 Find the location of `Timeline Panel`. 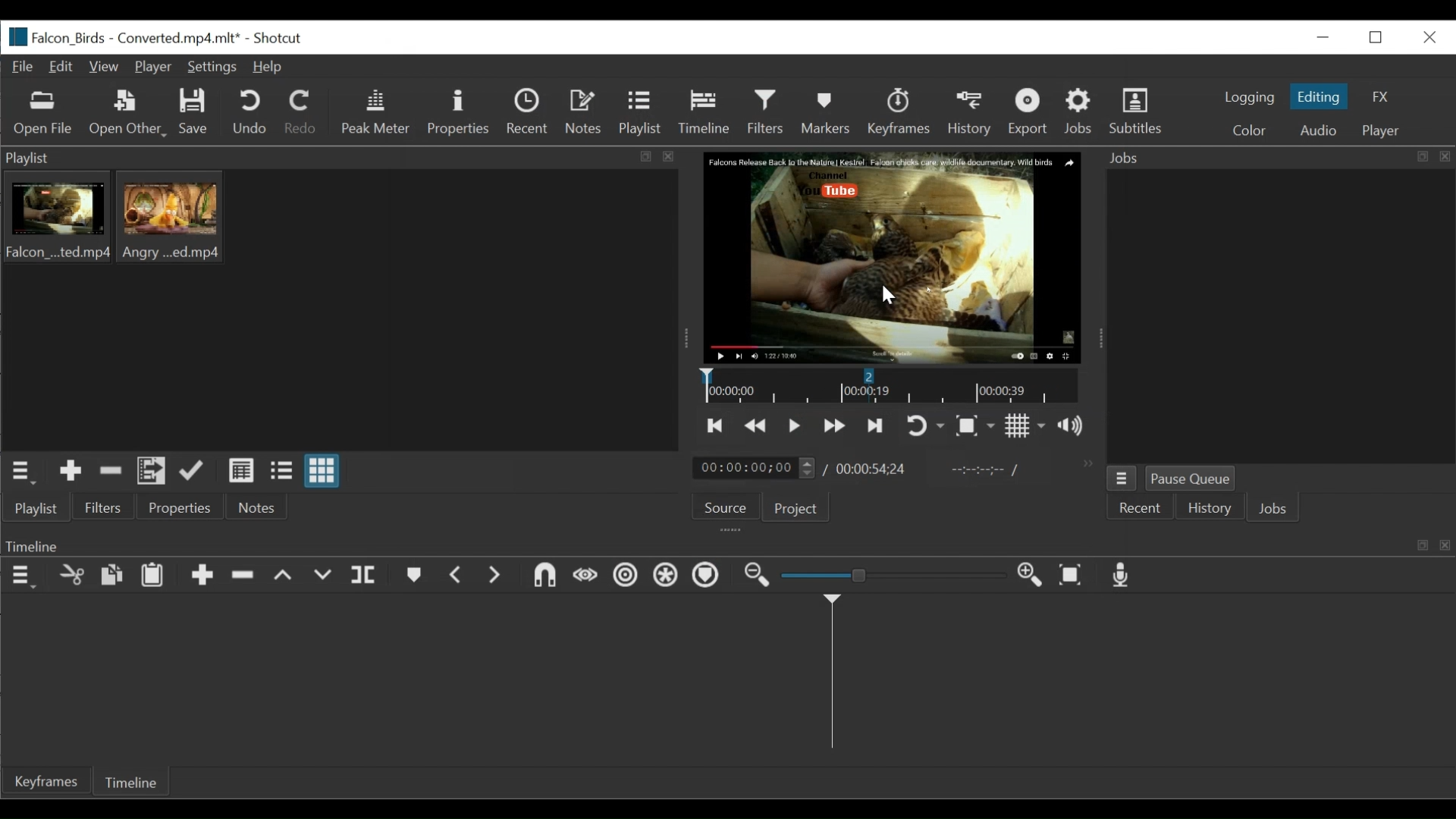

Timeline Panel is located at coordinates (726, 545).